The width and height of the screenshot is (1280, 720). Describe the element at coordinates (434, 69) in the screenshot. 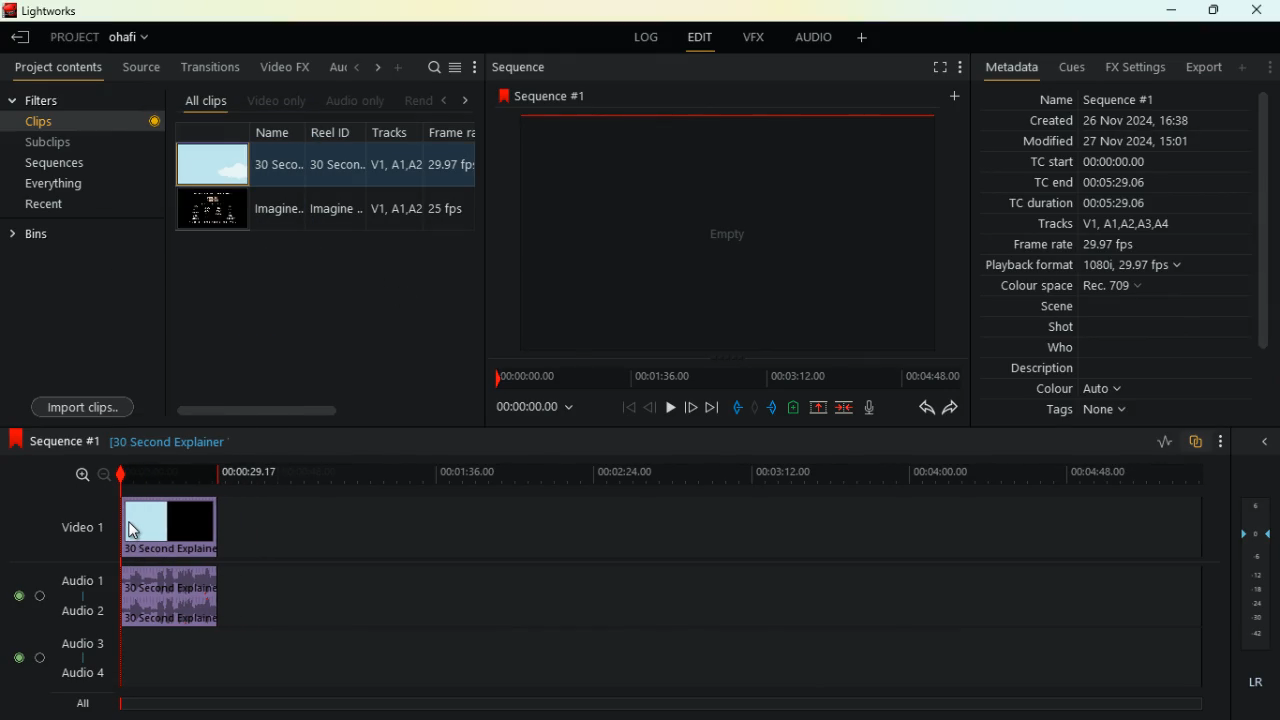

I see `search` at that location.